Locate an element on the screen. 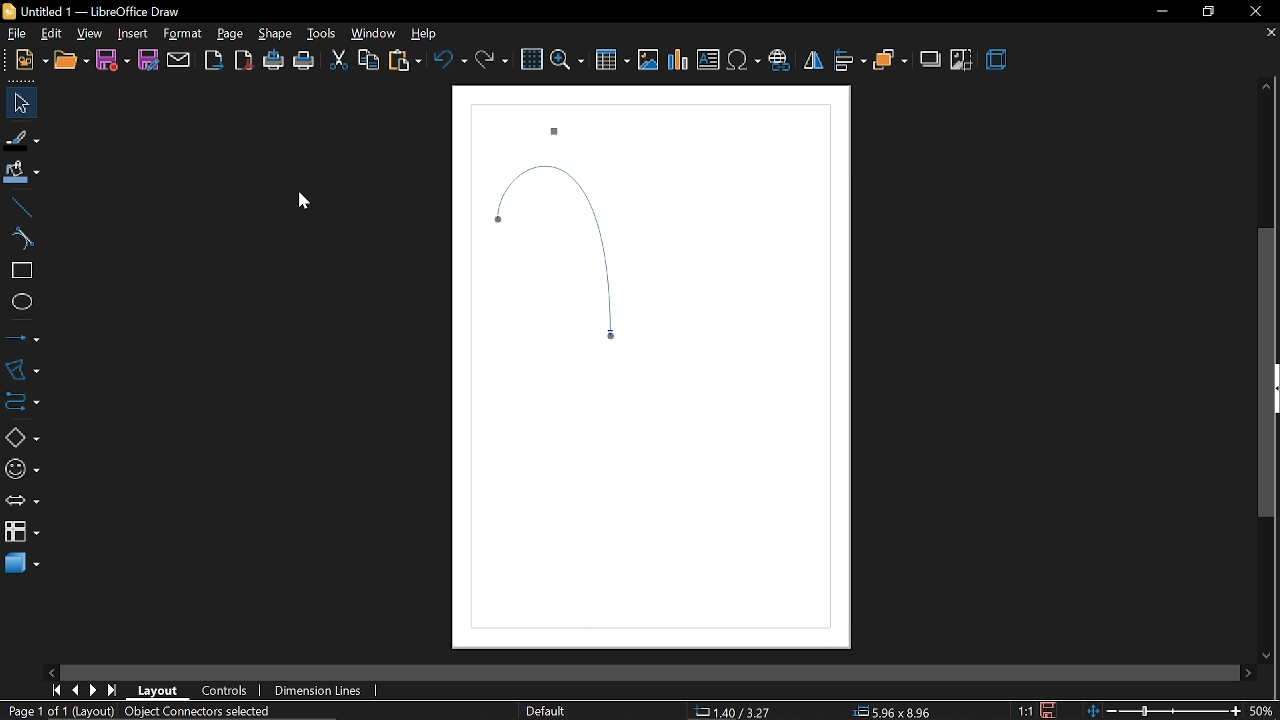  export is located at coordinates (214, 61).